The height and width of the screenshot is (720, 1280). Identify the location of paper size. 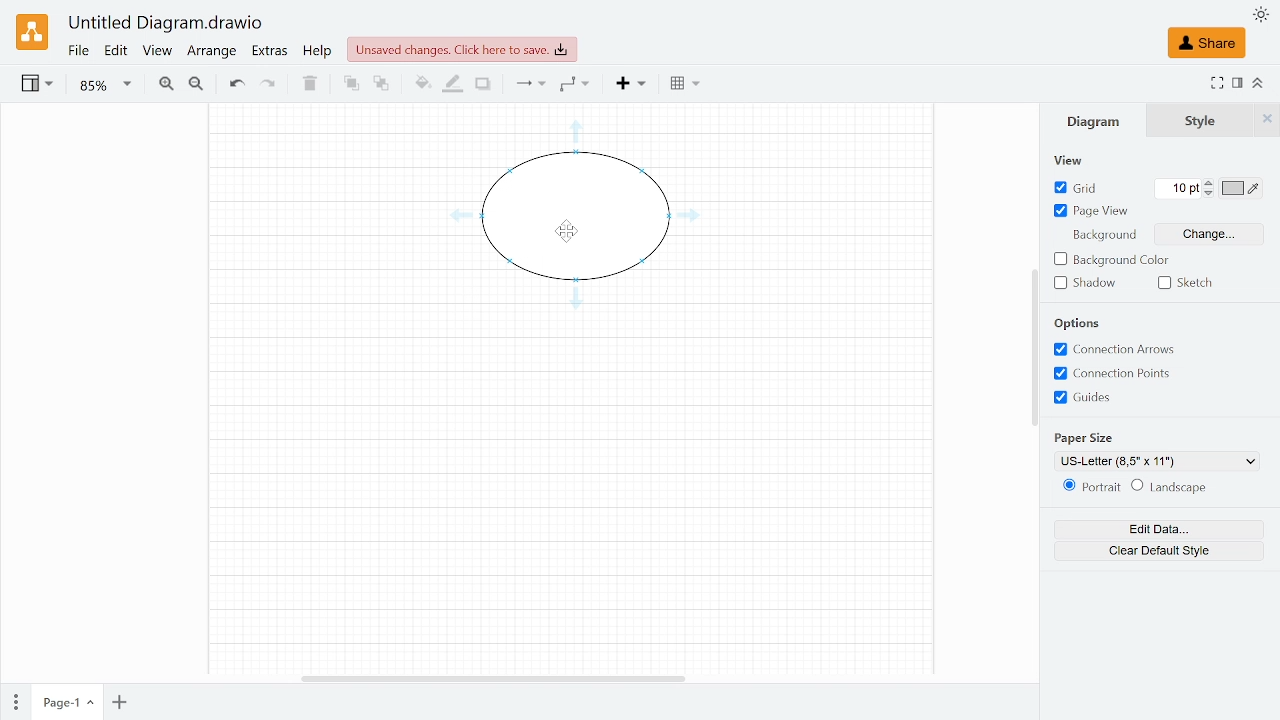
(1089, 438).